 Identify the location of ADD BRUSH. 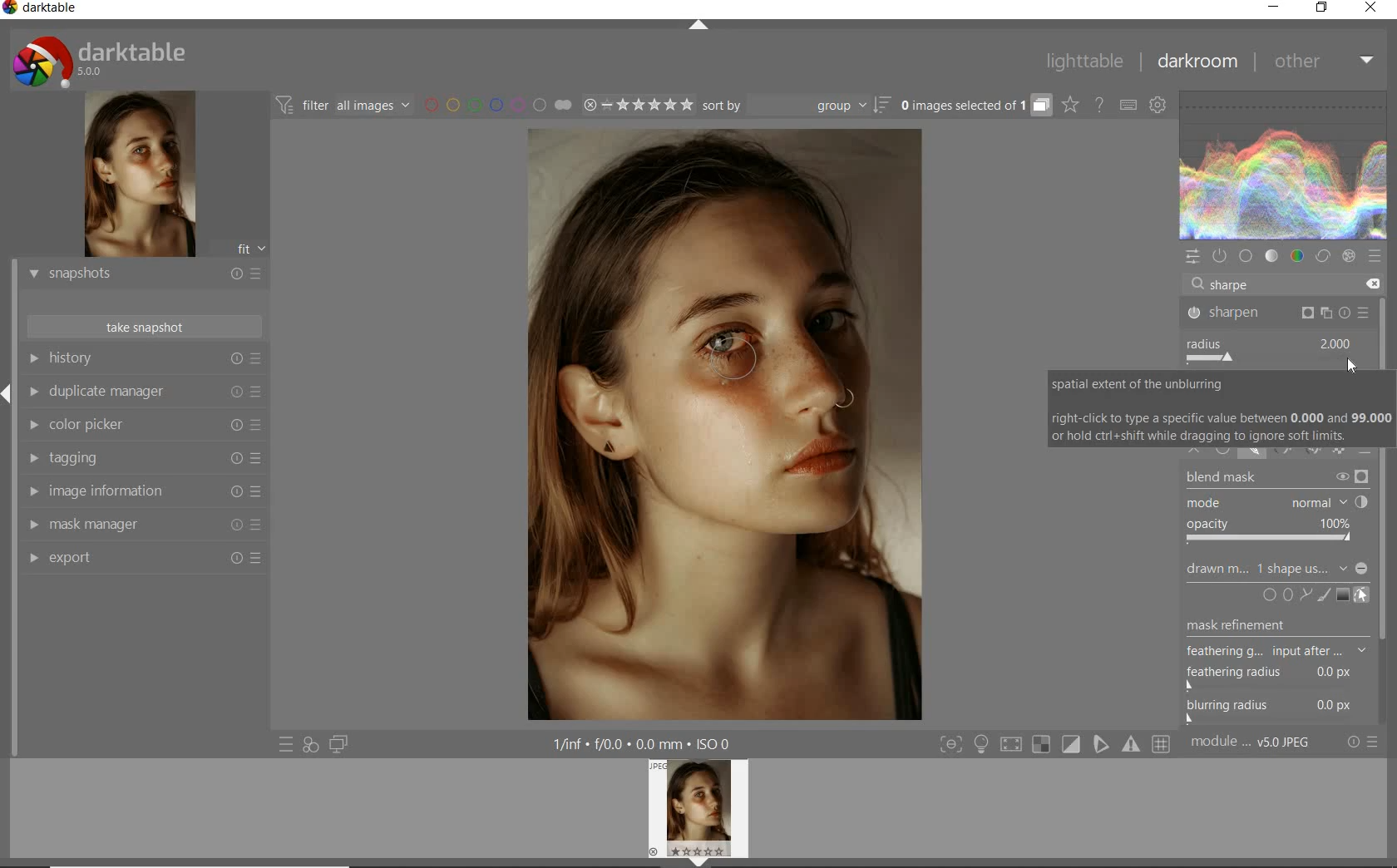
(1325, 594).